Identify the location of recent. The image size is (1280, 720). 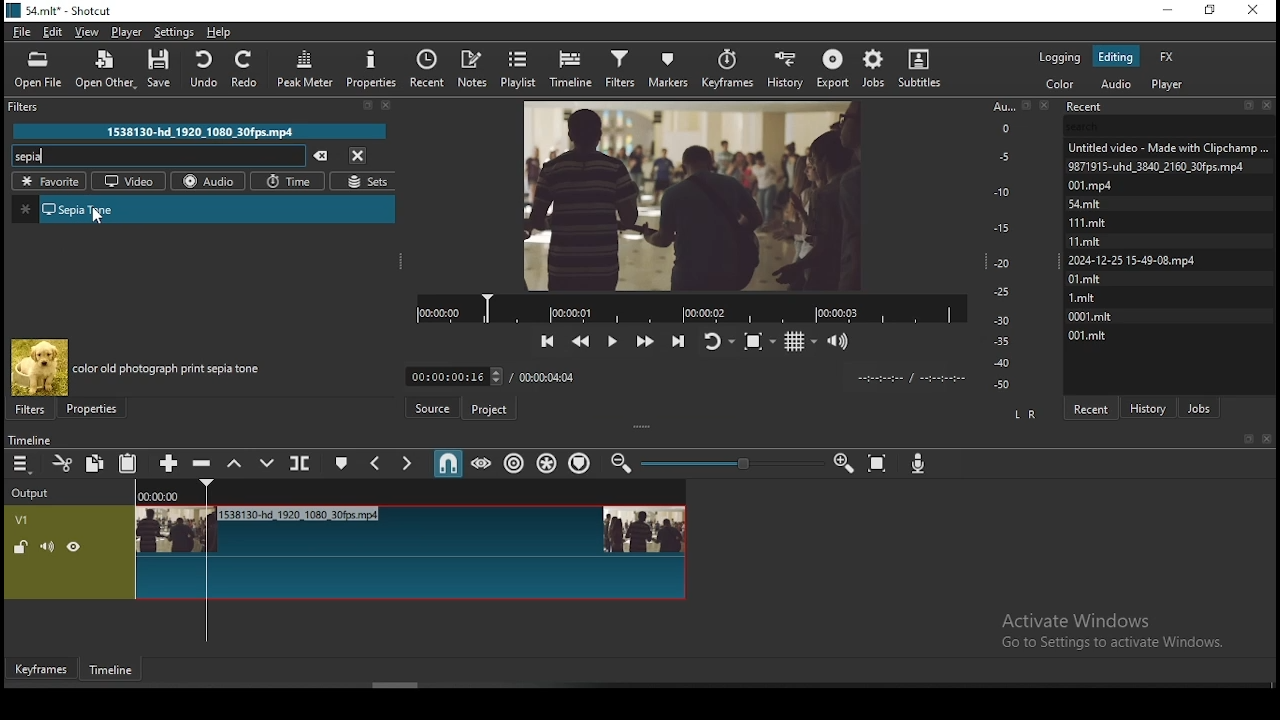
(430, 68).